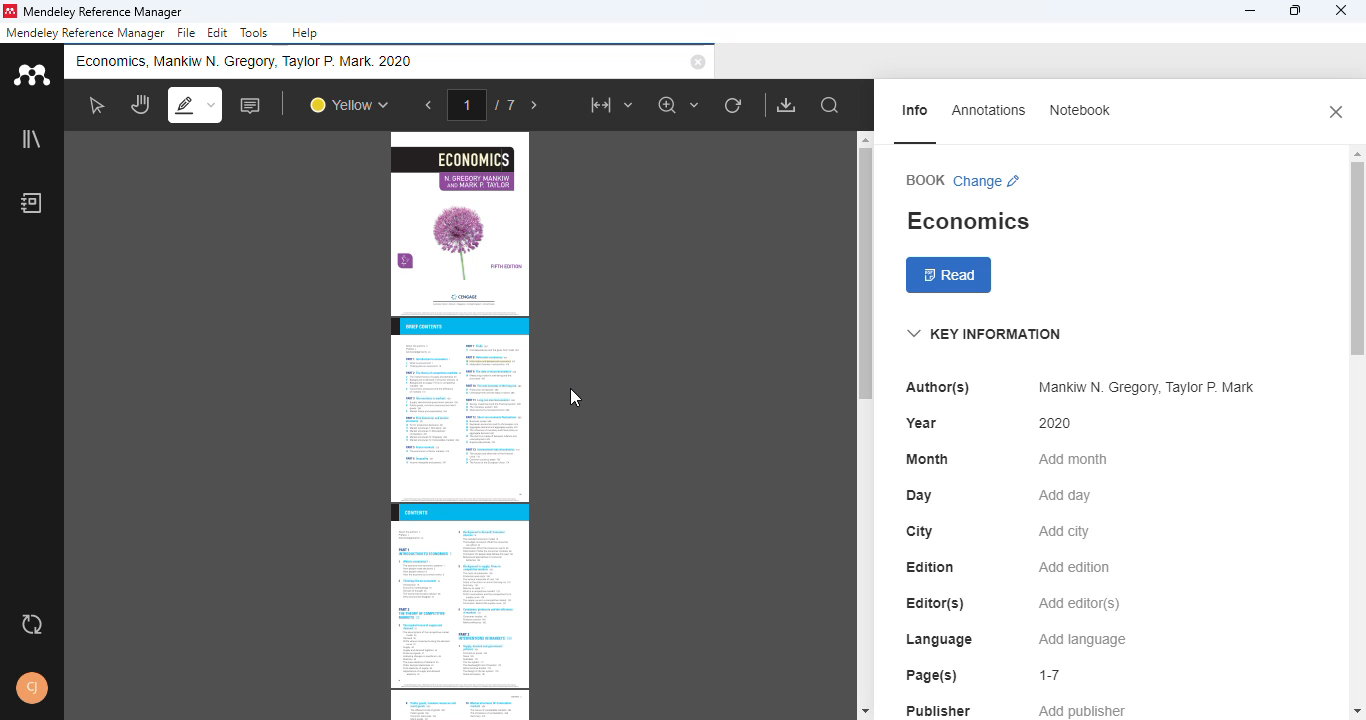  I want to click on previous page, so click(429, 106).